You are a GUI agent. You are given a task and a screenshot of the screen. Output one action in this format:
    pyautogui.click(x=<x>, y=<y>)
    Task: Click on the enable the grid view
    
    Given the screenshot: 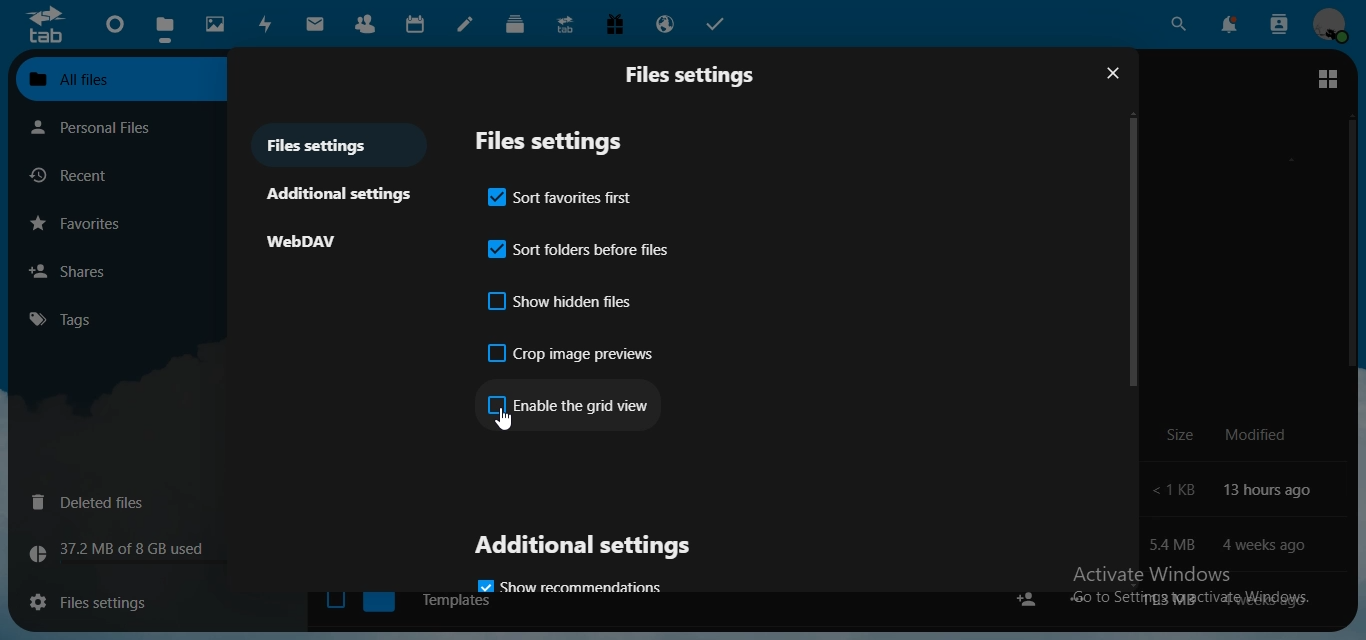 What is the action you would take?
    pyautogui.click(x=567, y=403)
    